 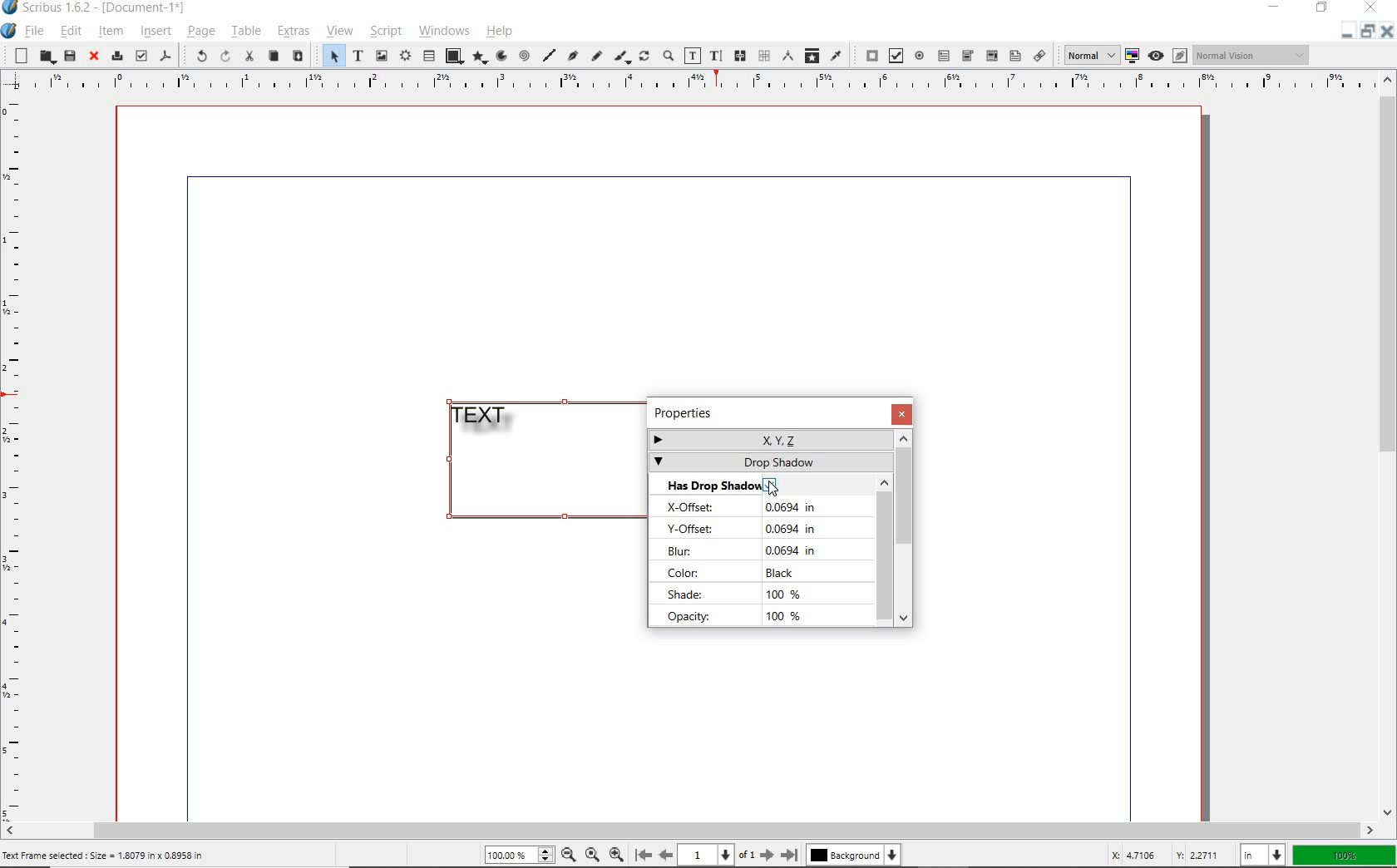 What do you see at coordinates (741, 56) in the screenshot?
I see `link text frames` at bounding box center [741, 56].